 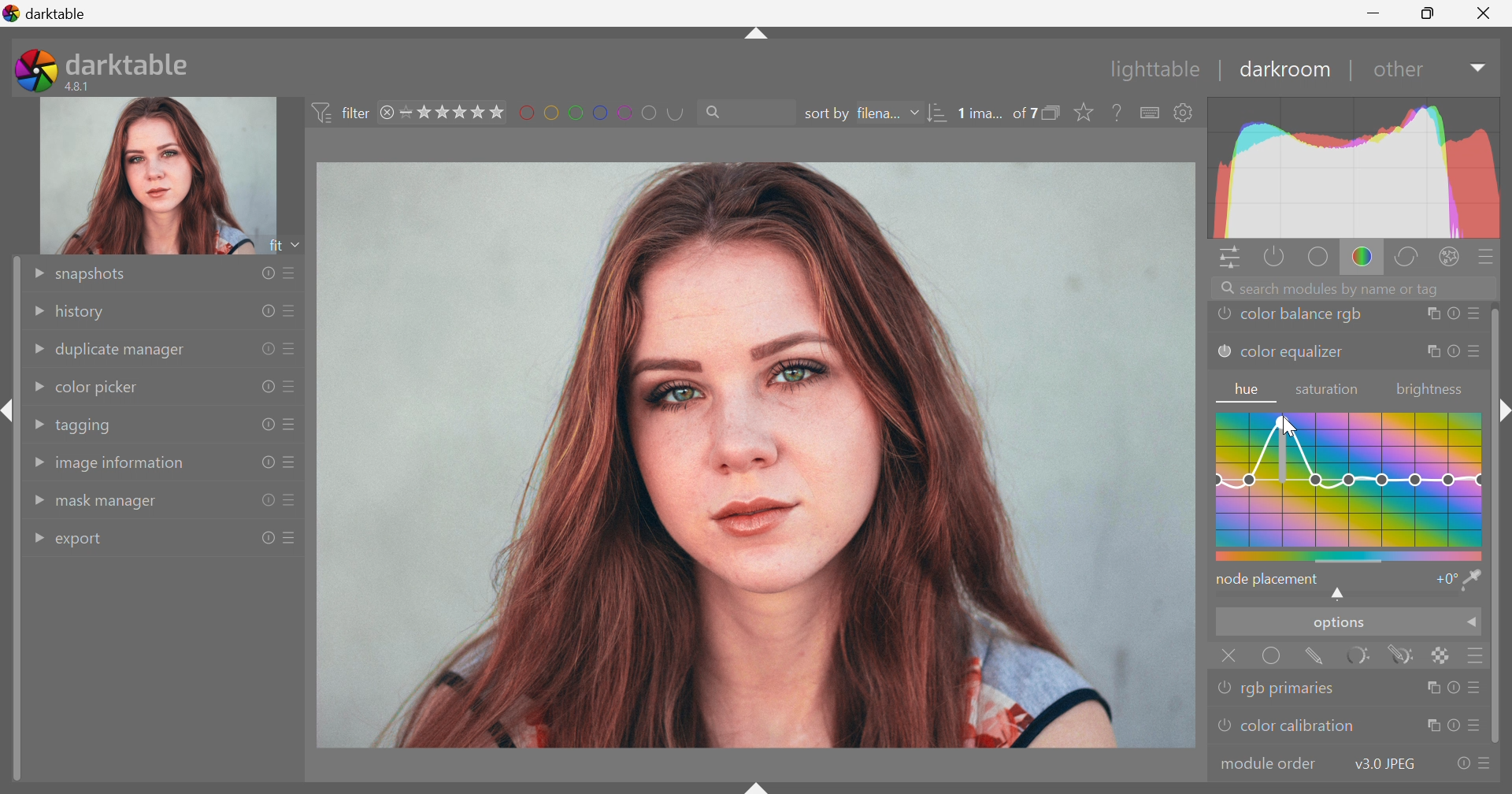 What do you see at coordinates (880, 112) in the screenshot?
I see `filena...` at bounding box center [880, 112].